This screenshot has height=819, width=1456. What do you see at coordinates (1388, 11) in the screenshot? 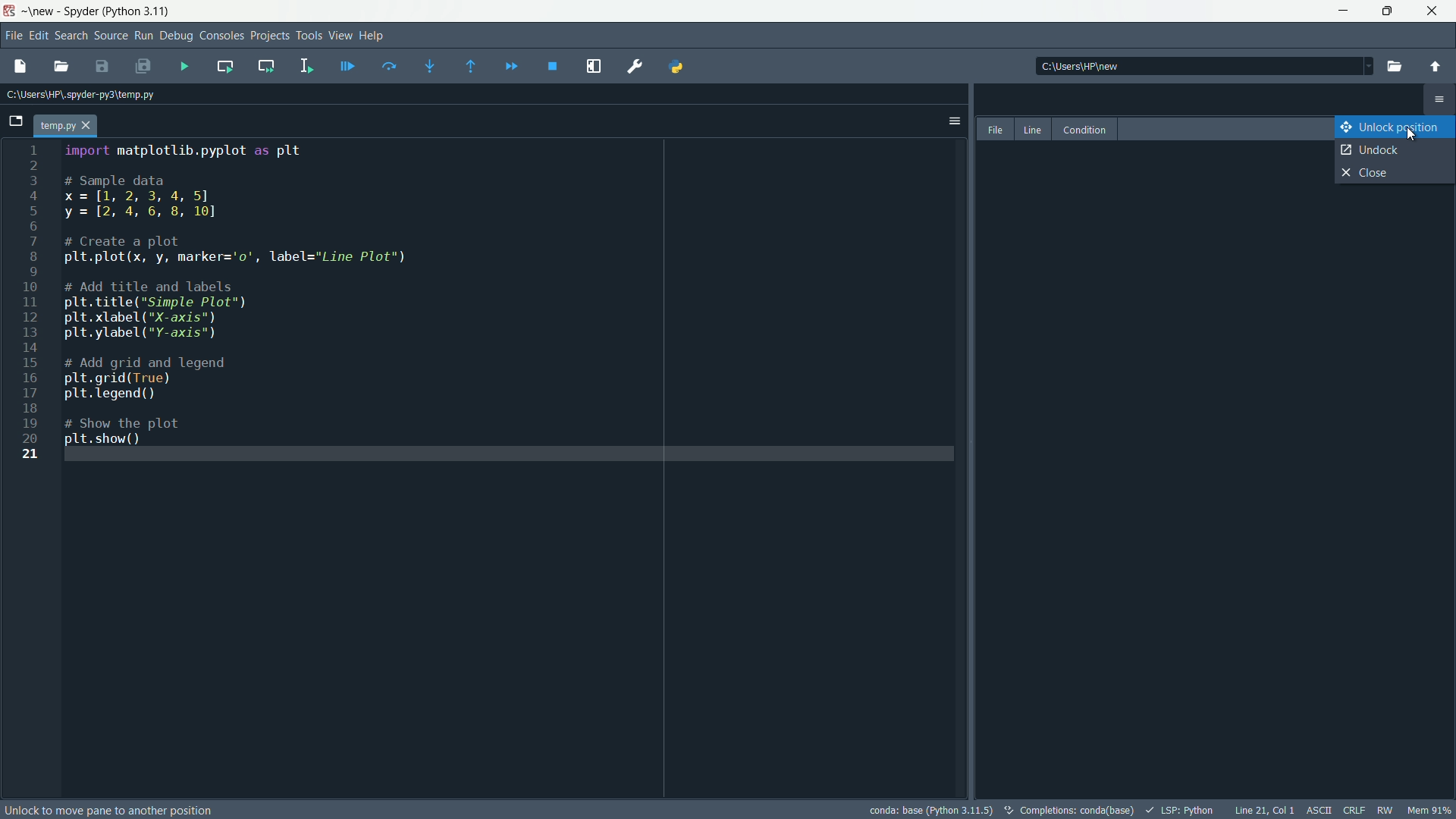
I see `close app` at bounding box center [1388, 11].